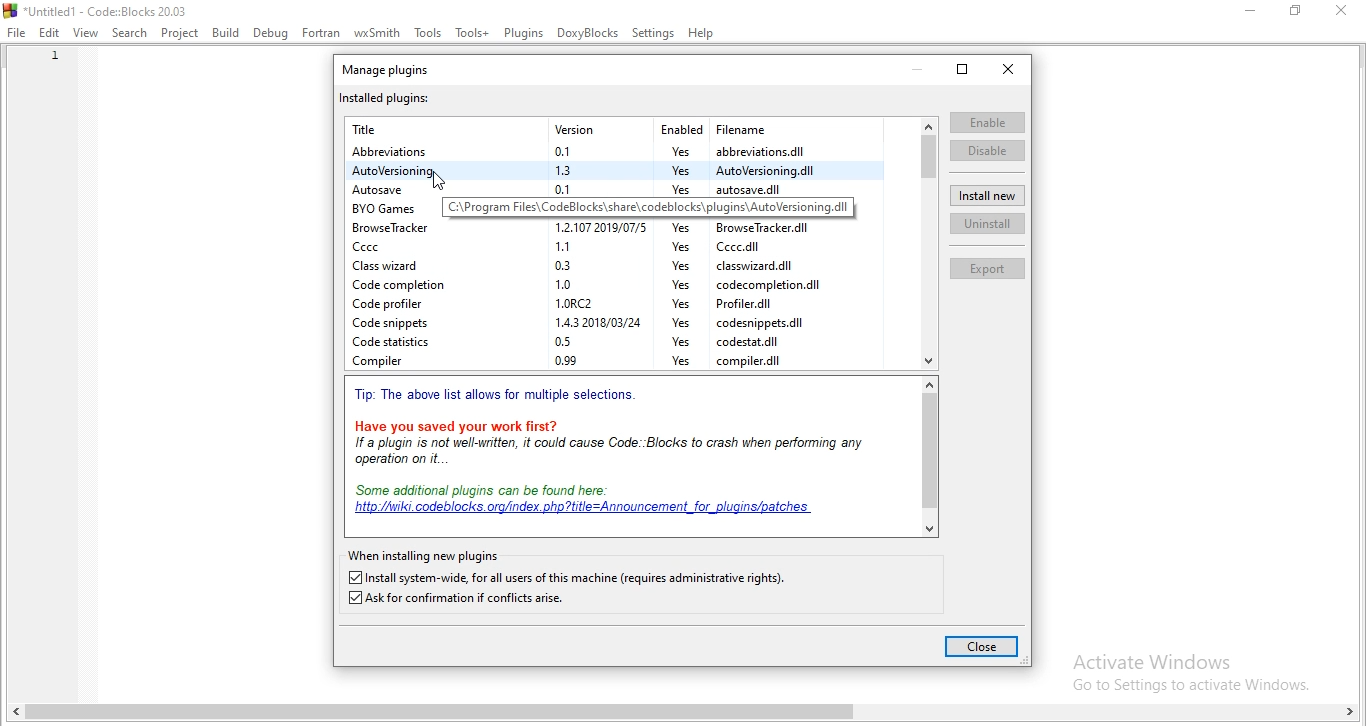 This screenshot has height=726, width=1366. What do you see at coordinates (984, 267) in the screenshot?
I see `Export` at bounding box center [984, 267].